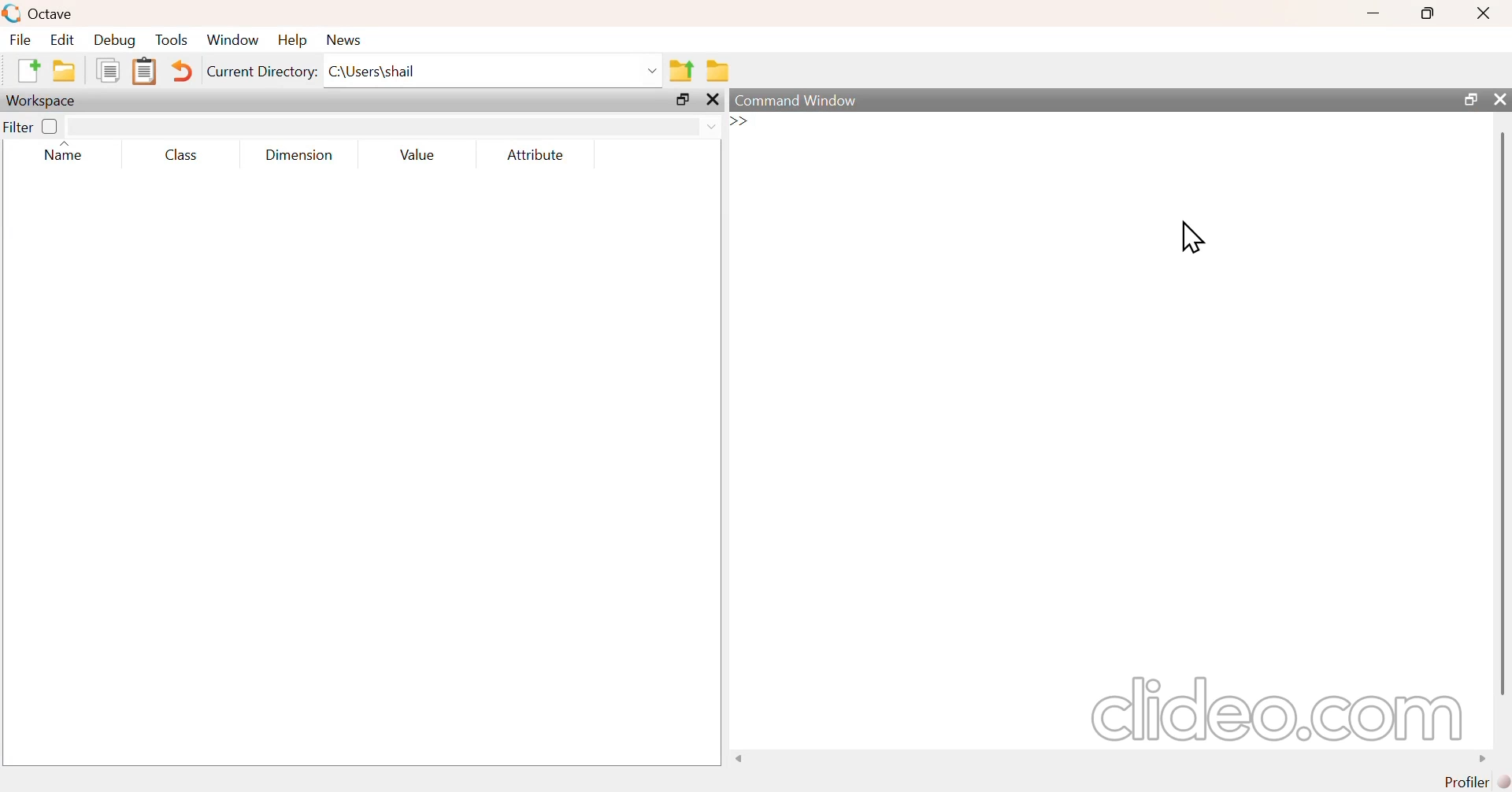 The image size is (1512, 792). What do you see at coordinates (168, 40) in the screenshot?
I see `tools` at bounding box center [168, 40].